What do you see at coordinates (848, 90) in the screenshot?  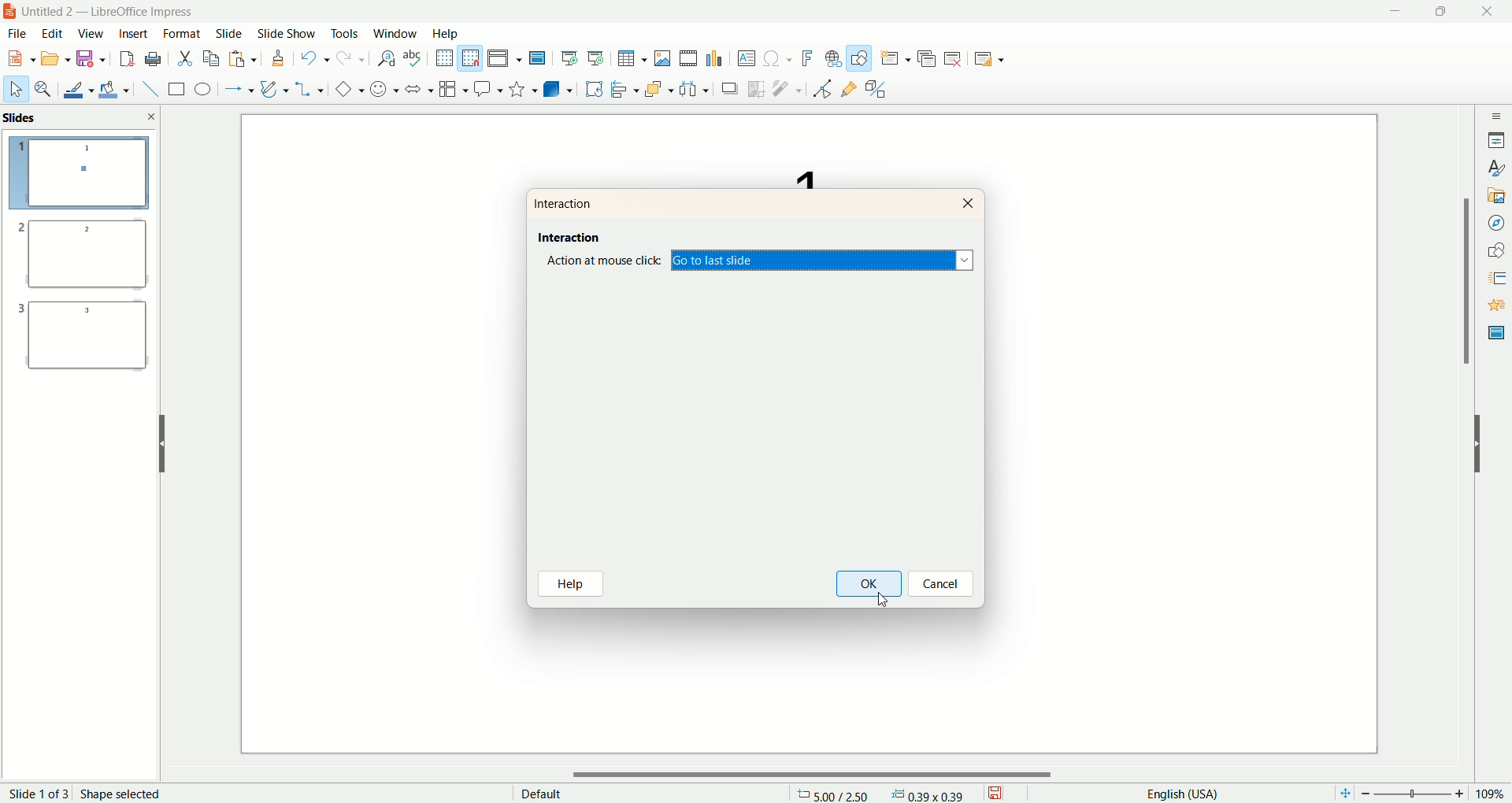 I see `gluepoint function` at bounding box center [848, 90].